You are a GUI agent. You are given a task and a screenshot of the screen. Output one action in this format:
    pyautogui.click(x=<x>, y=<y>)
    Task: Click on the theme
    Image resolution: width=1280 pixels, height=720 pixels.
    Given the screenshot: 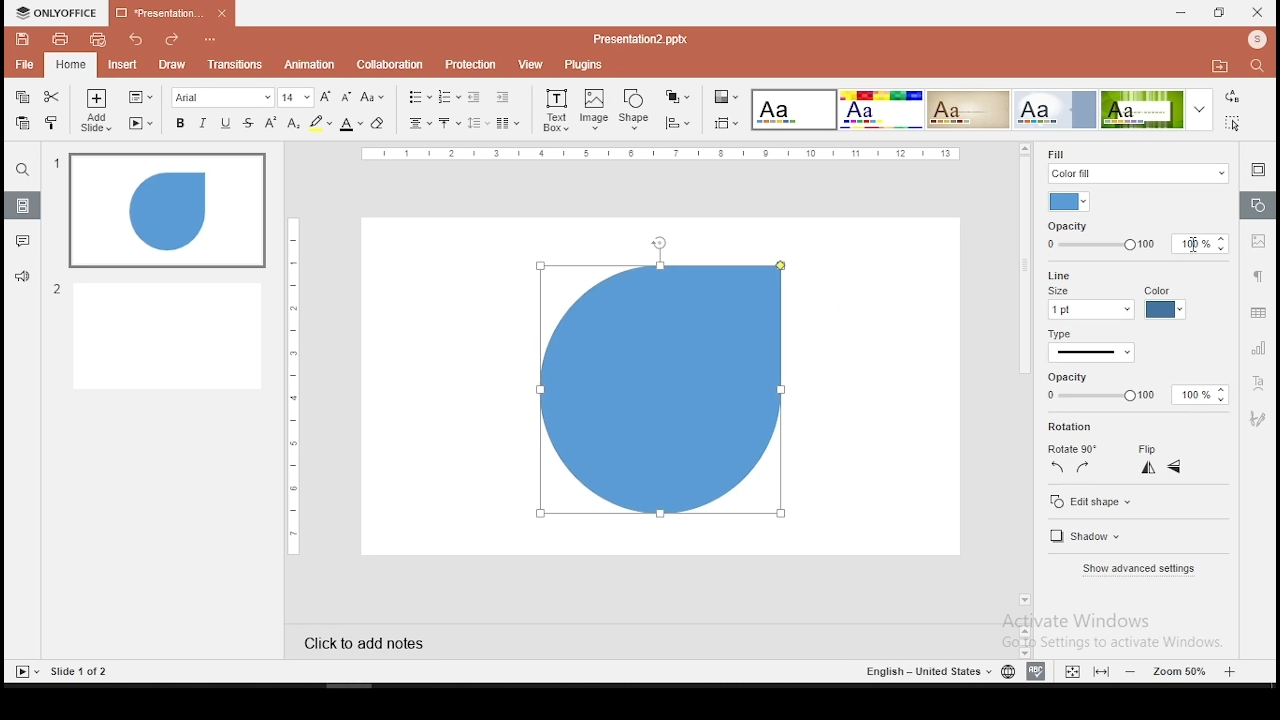 What is the action you would take?
    pyautogui.click(x=1155, y=110)
    